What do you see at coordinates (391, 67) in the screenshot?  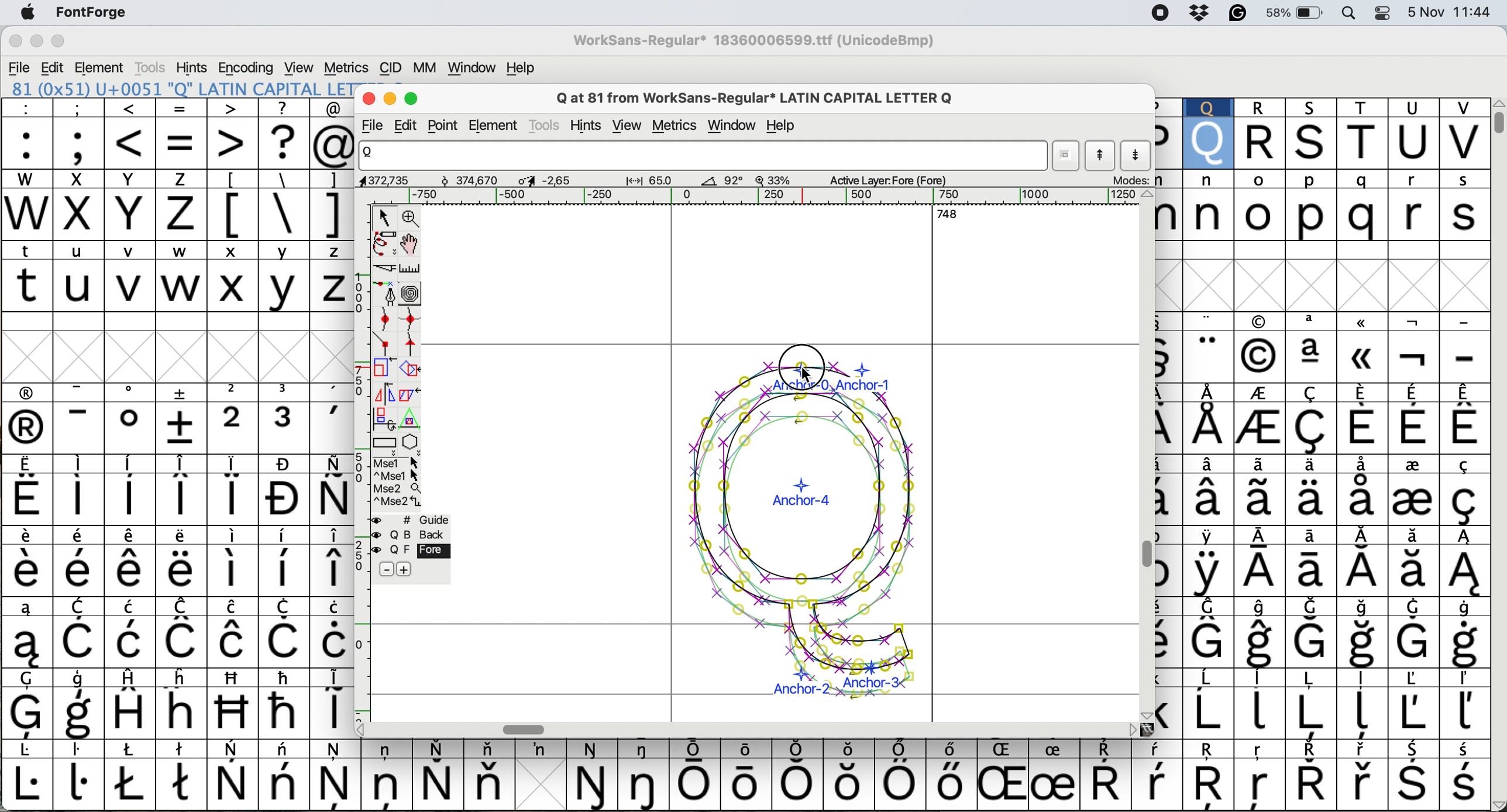 I see `cid` at bounding box center [391, 67].